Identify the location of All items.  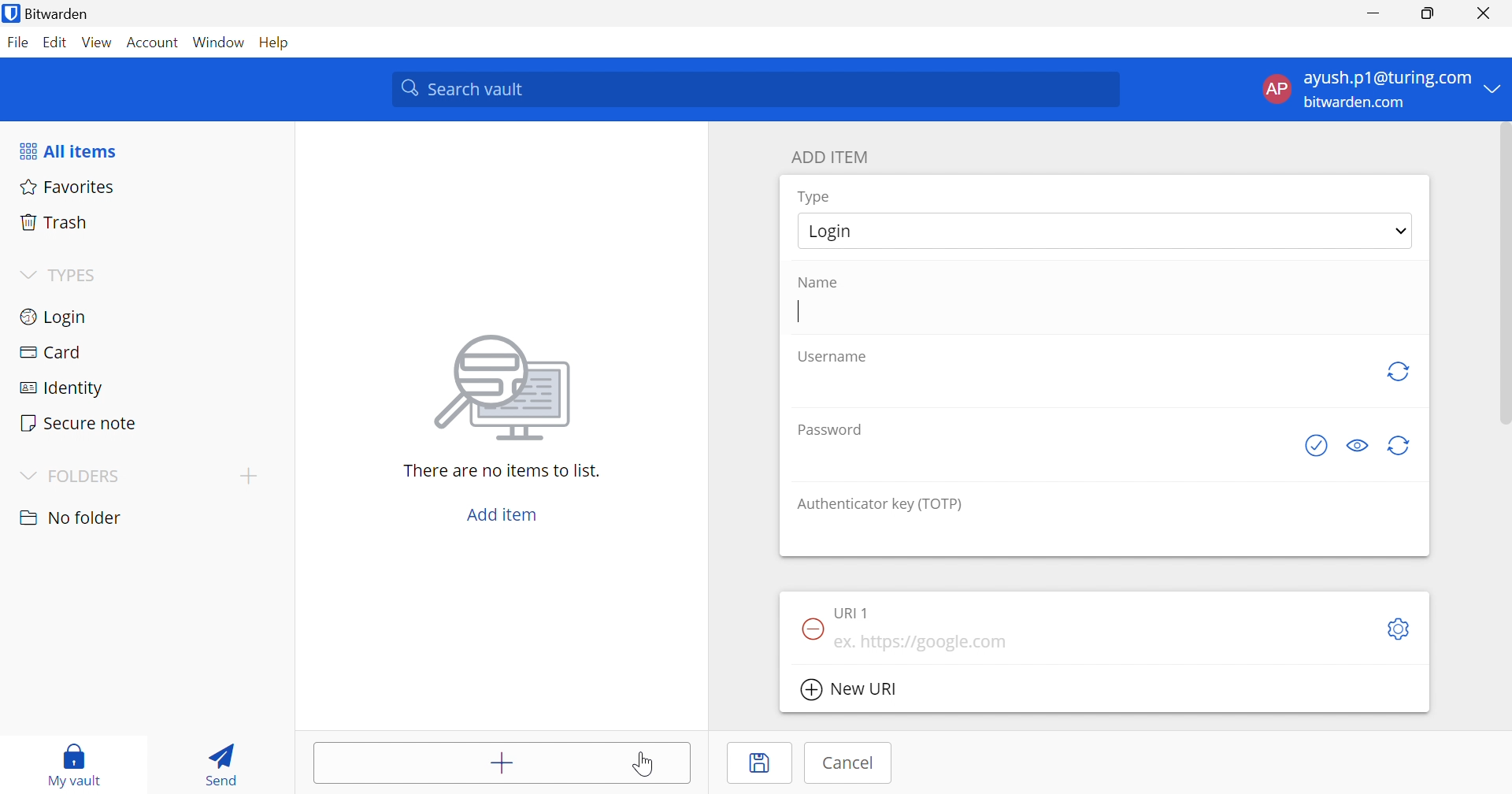
(70, 150).